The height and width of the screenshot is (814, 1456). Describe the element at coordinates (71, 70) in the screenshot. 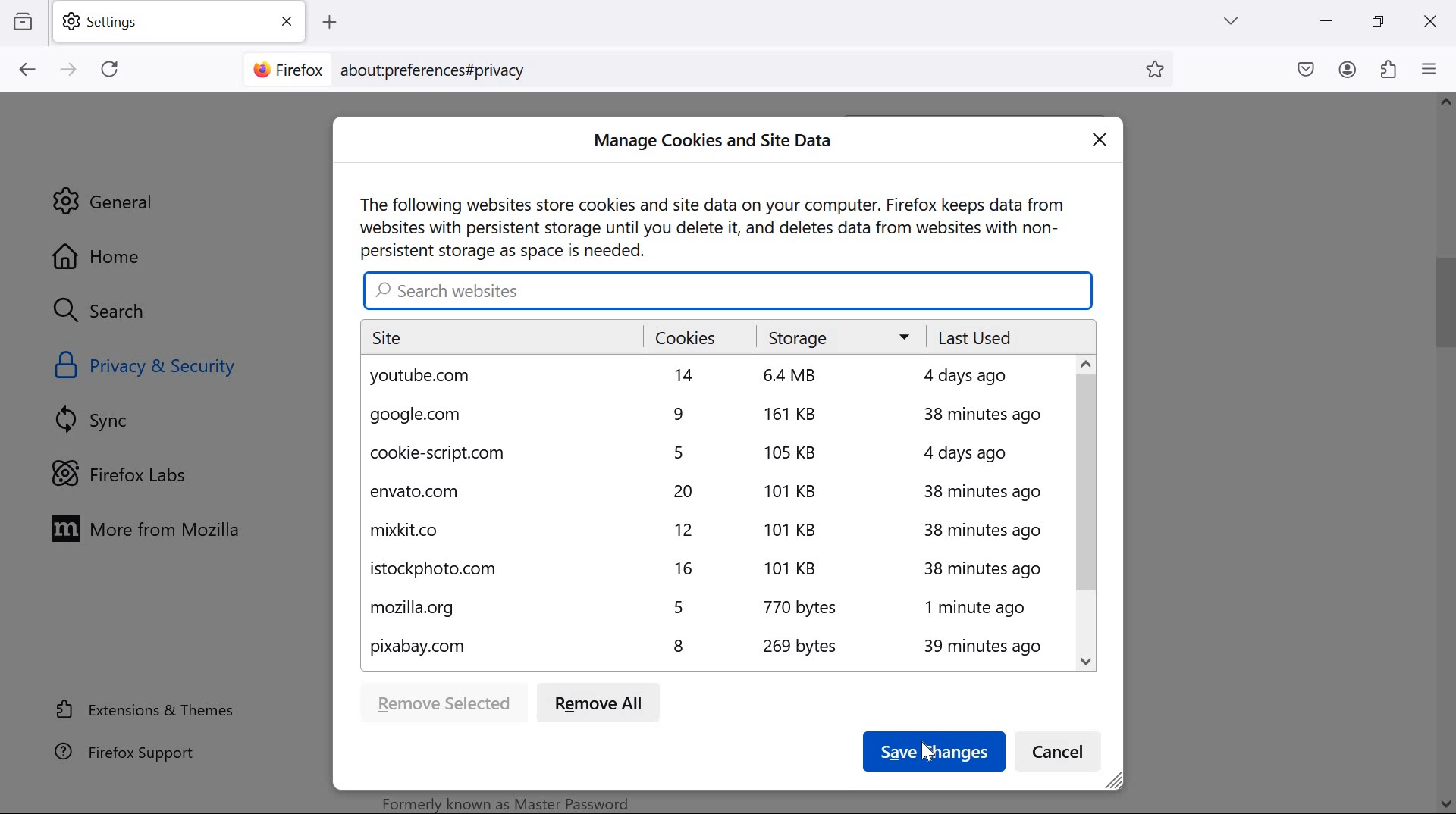

I see `go forward one page` at that location.